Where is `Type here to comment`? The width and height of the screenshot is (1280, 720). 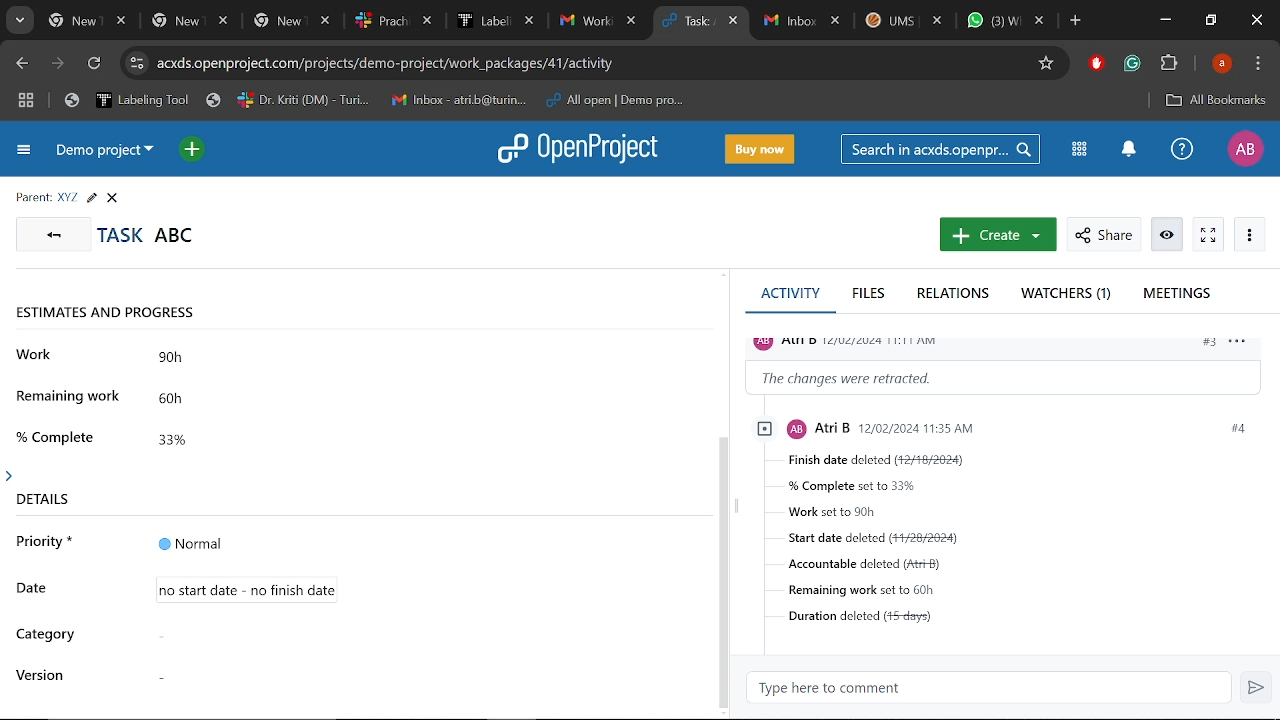 Type here to comment is located at coordinates (990, 688).